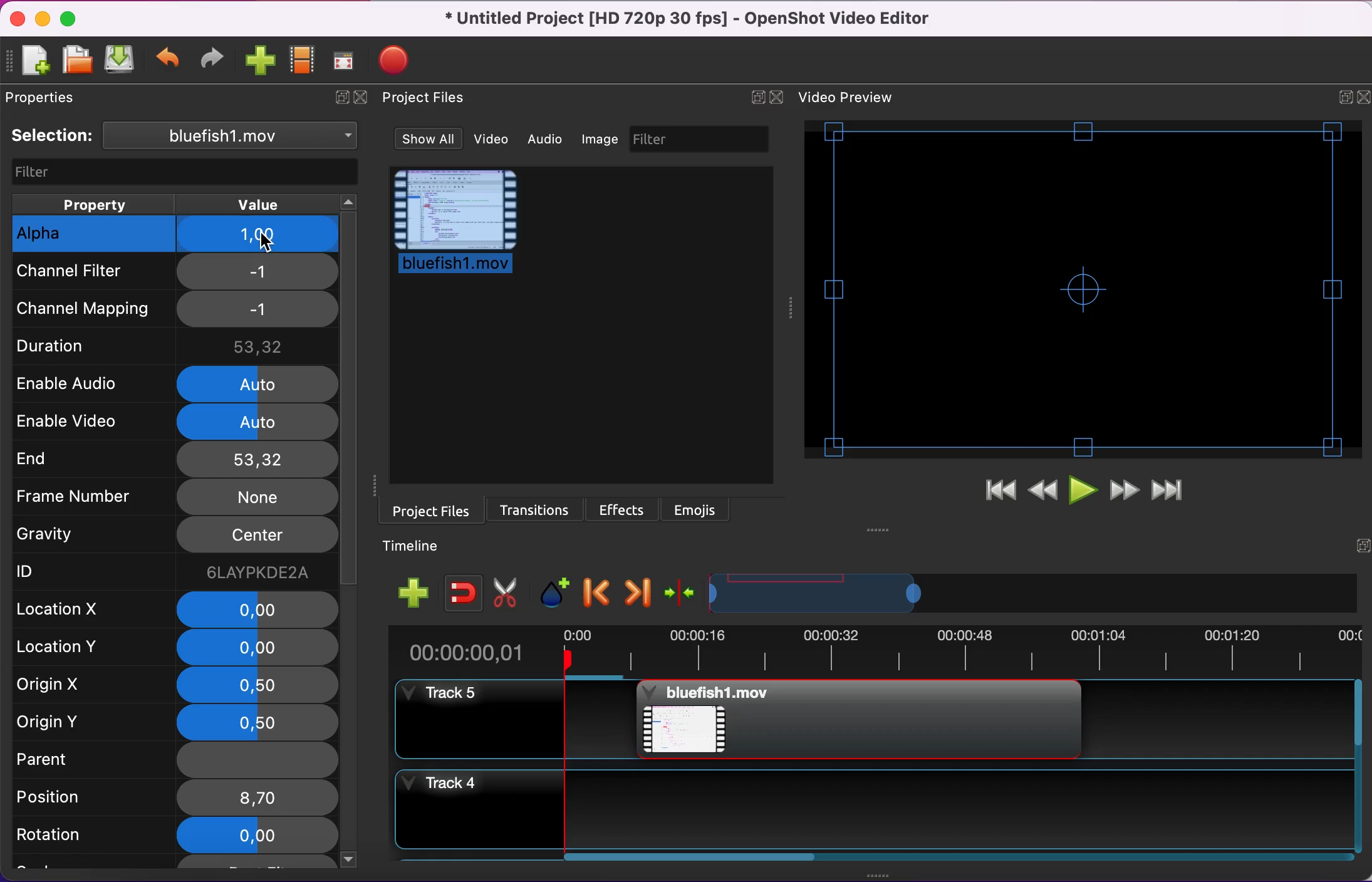 The height and width of the screenshot is (882, 1372). What do you see at coordinates (259, 310) in the screenshot?
I see `-1` at bounding box center [259, 310].